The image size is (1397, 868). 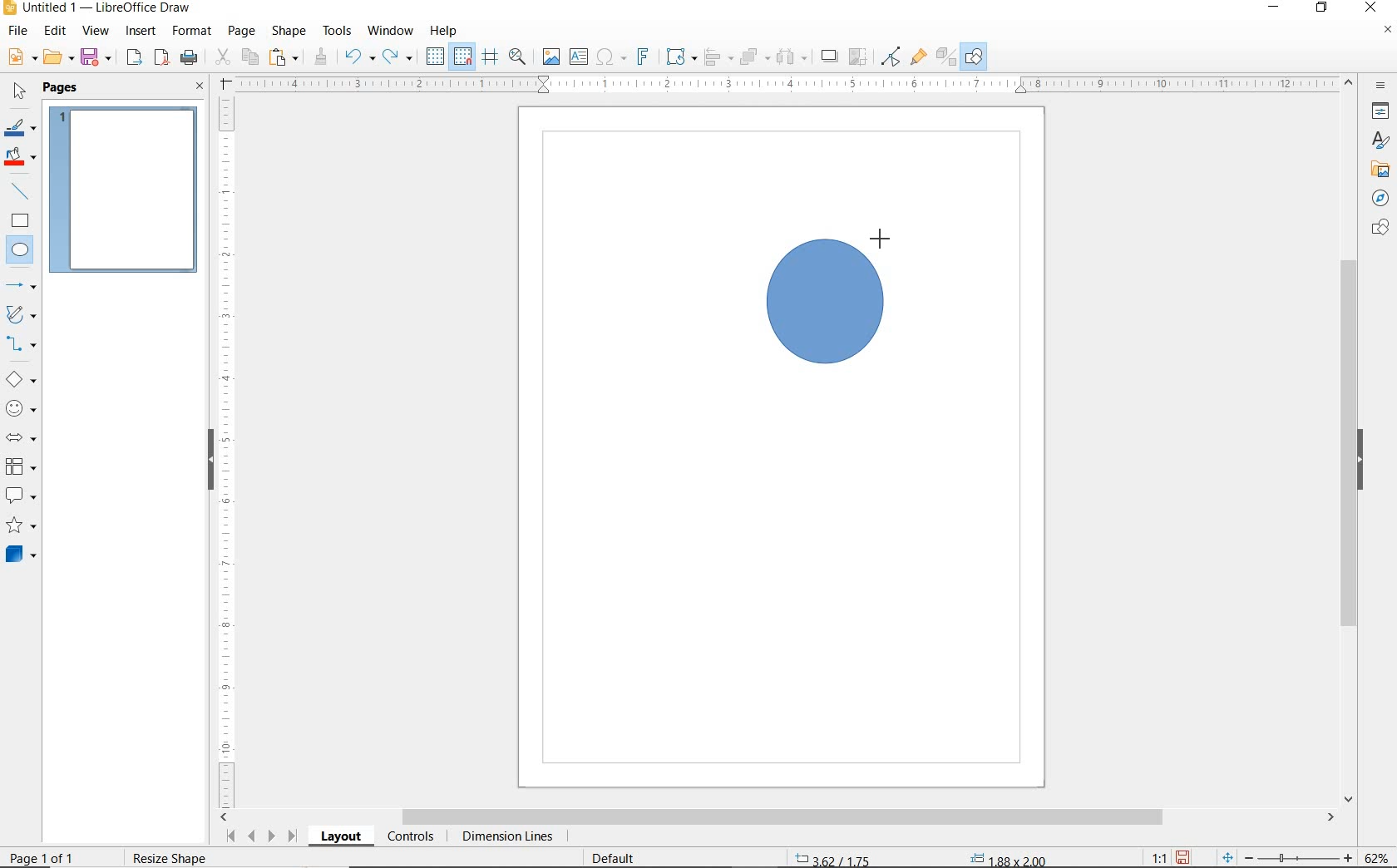 I want to click on REDO, so click(x=398, y=57).